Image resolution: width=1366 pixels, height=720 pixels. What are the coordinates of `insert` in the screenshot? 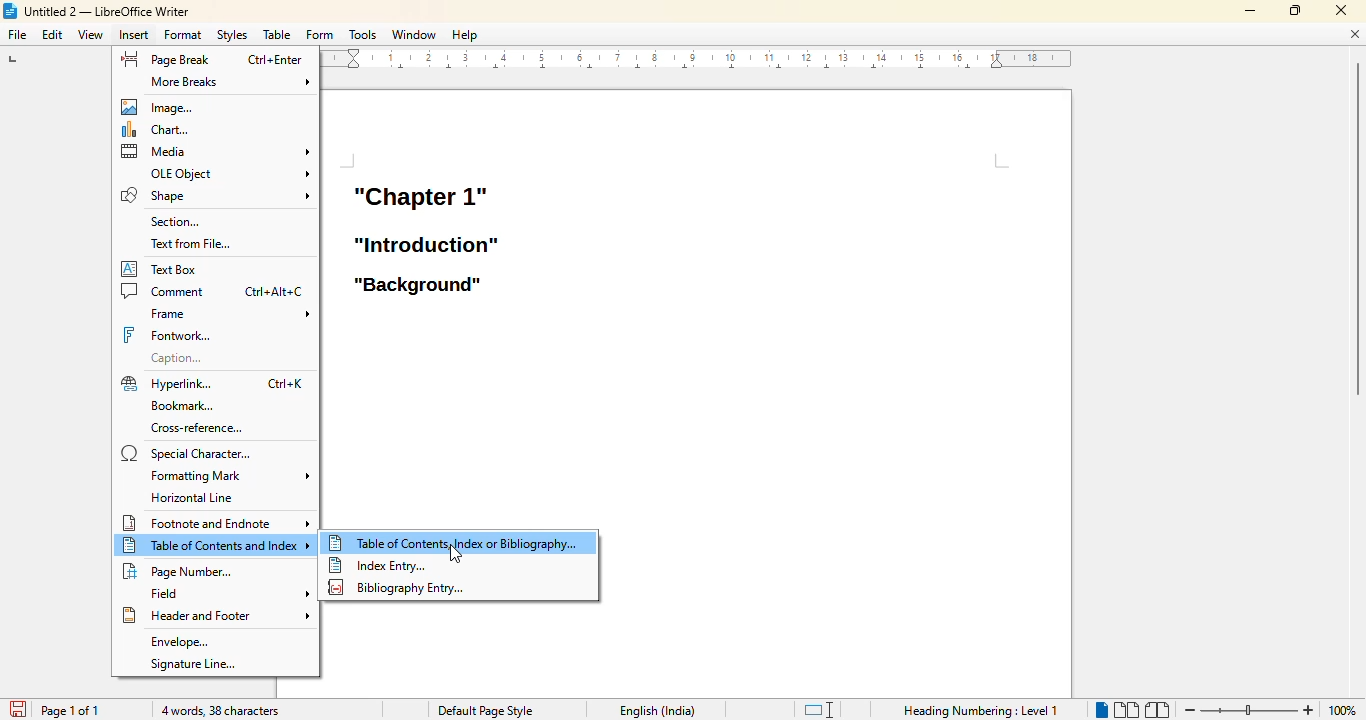 It's located at (134, 34).